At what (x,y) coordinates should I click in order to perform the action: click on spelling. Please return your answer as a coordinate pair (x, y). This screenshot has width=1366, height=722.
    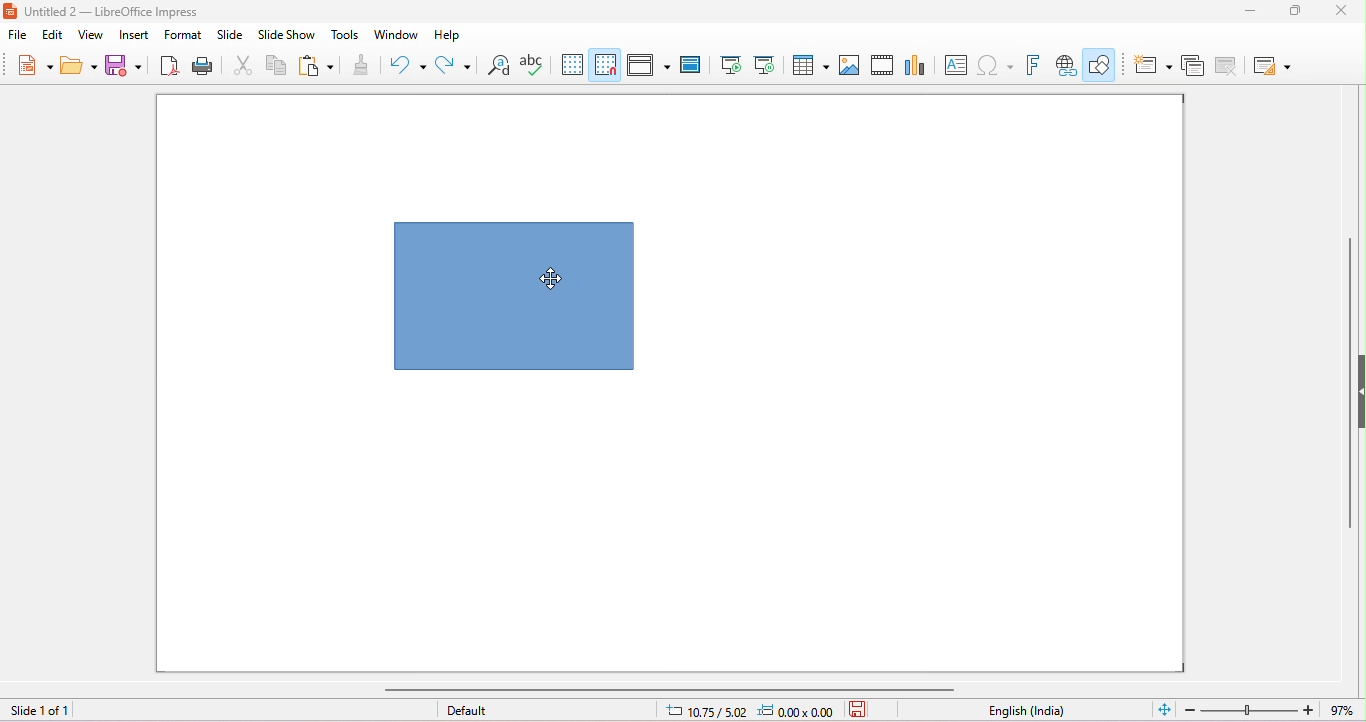
    Looking at the image, I should click on (531, 63).